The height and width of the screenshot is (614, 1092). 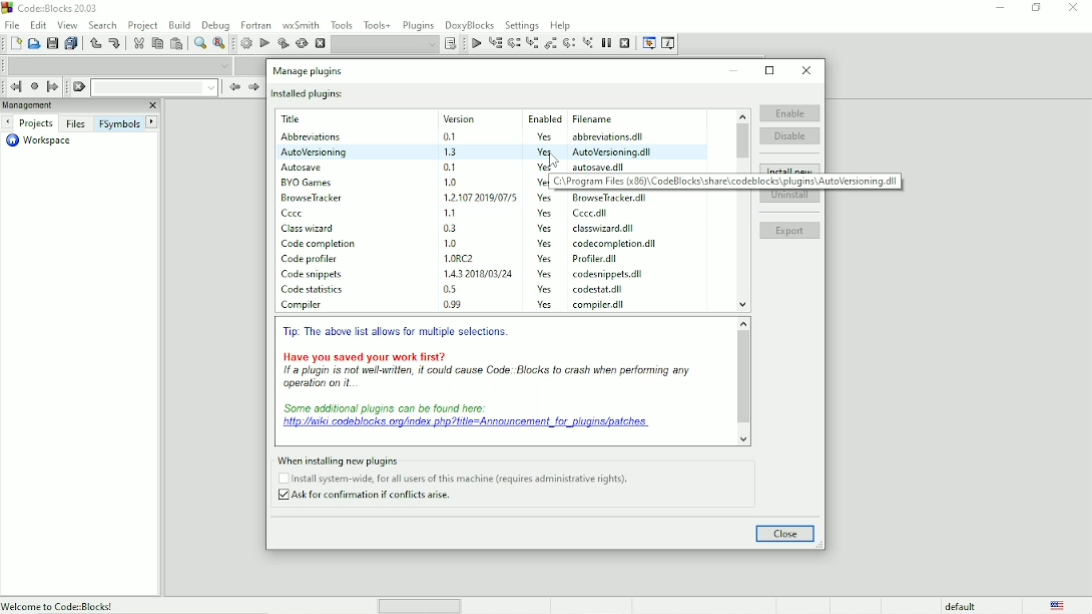 What do you see at coordinates (37, 141) in the screenshot?
I see `Workspace` at bounding box center [37, 141].